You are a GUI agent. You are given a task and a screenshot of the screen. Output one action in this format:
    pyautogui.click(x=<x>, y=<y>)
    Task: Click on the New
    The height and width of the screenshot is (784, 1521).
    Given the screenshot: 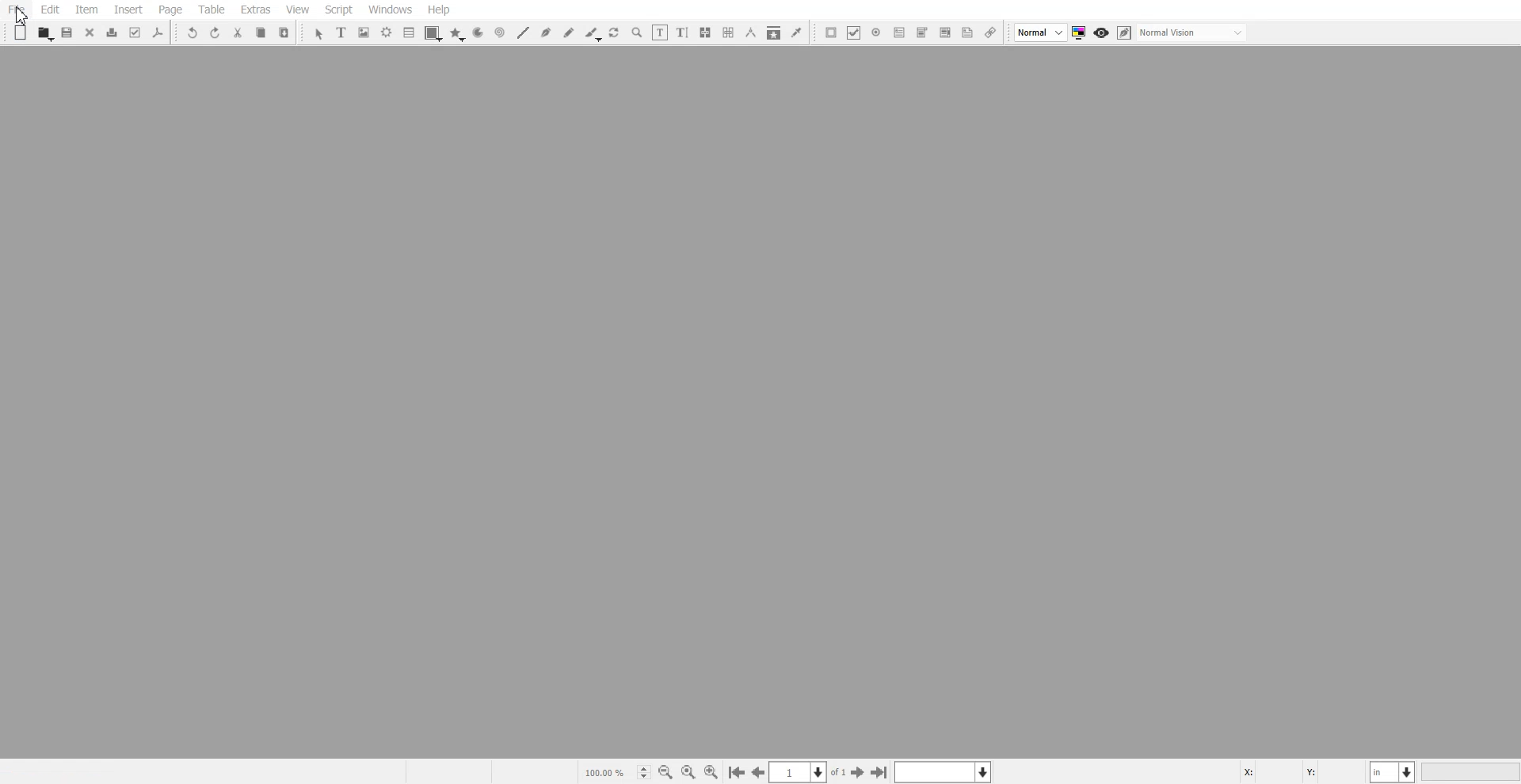 What is the action you would take?
    pyautogui.click(x=21, y=32)
    